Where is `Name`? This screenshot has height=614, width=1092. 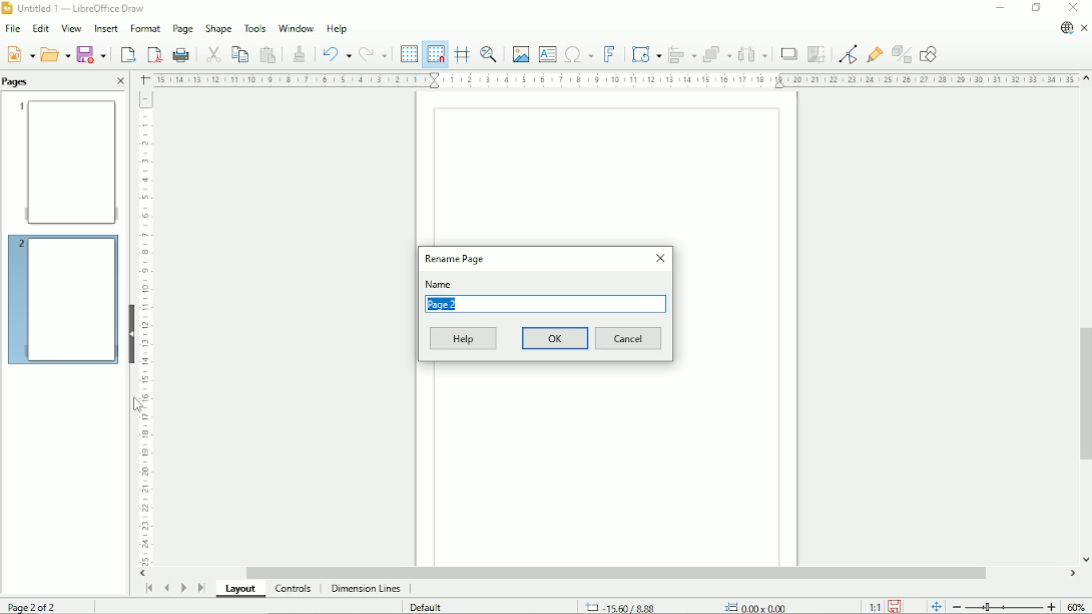
Name is located at coordinates (439, 284).